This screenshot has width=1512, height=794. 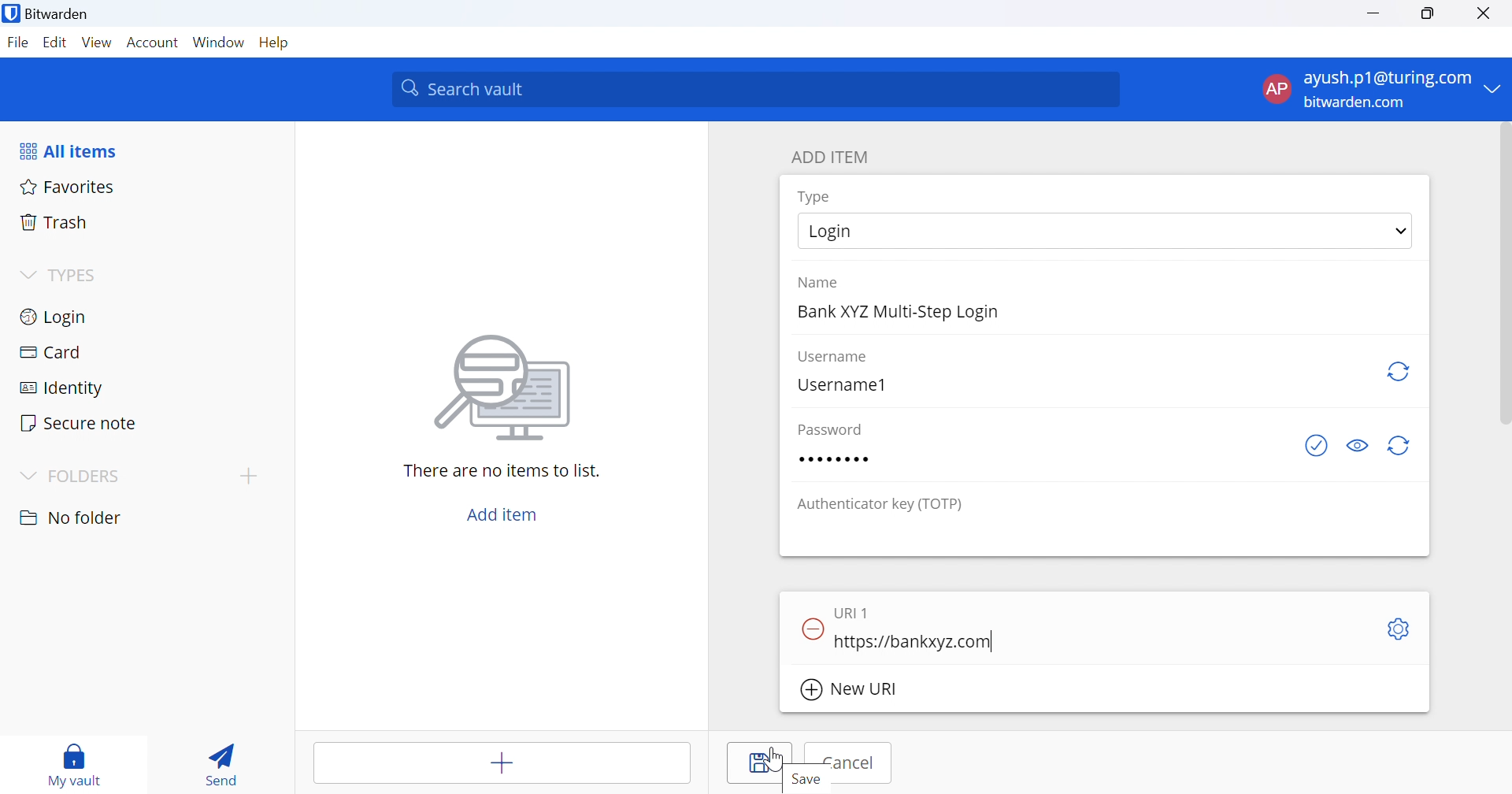 I want to click on TYPES, so click(x=77, y=276).